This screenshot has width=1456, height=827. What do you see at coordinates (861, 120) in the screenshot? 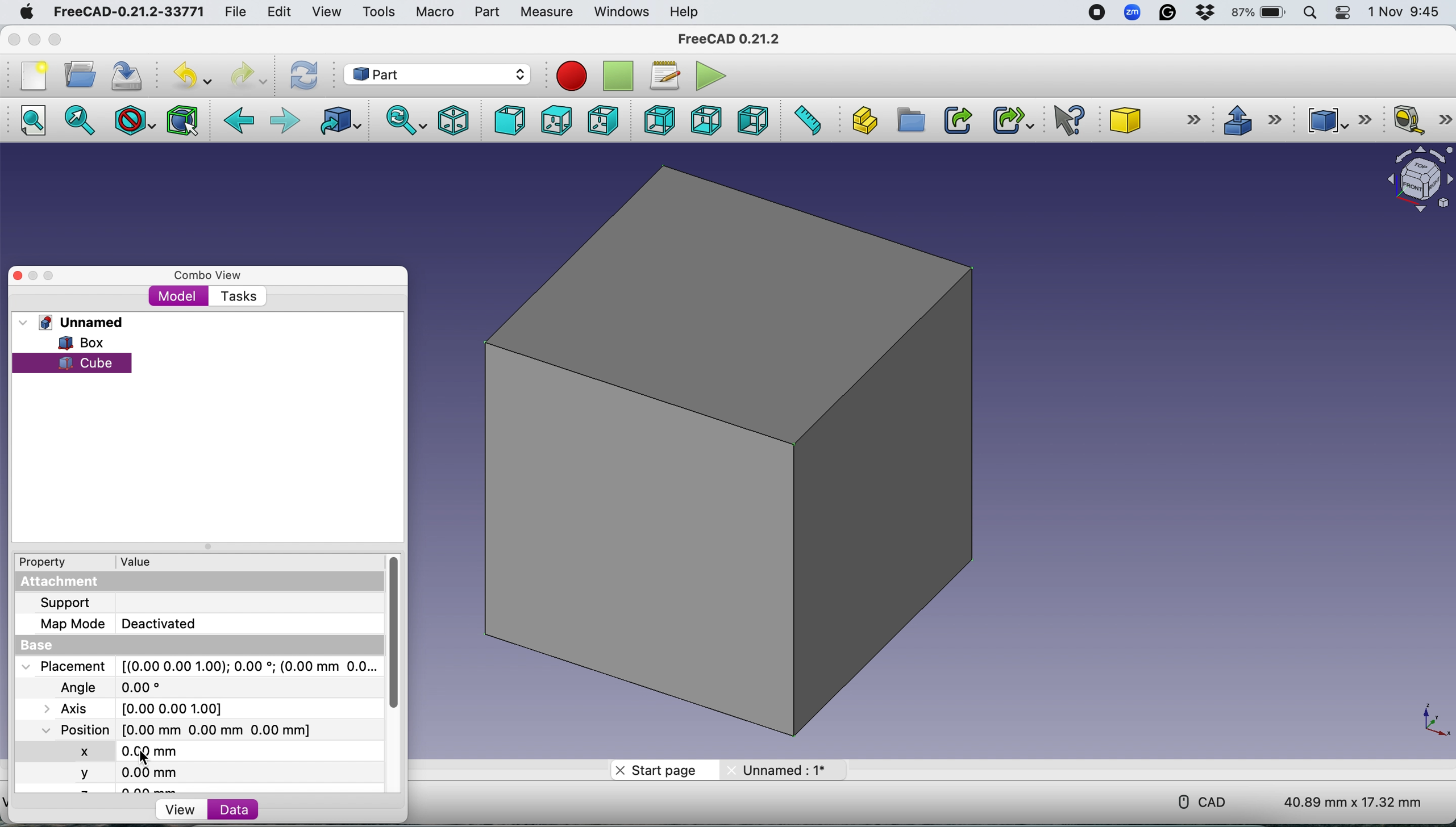
I see `Create part` at bounding box center [861, 120].